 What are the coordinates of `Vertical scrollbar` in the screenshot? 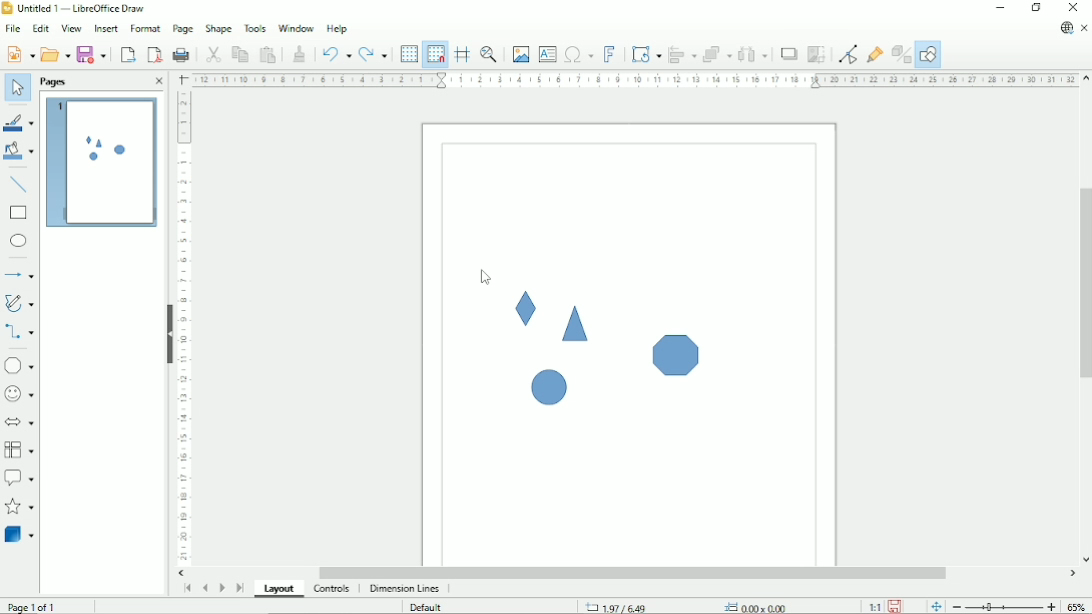 It's located at (1084, 286).